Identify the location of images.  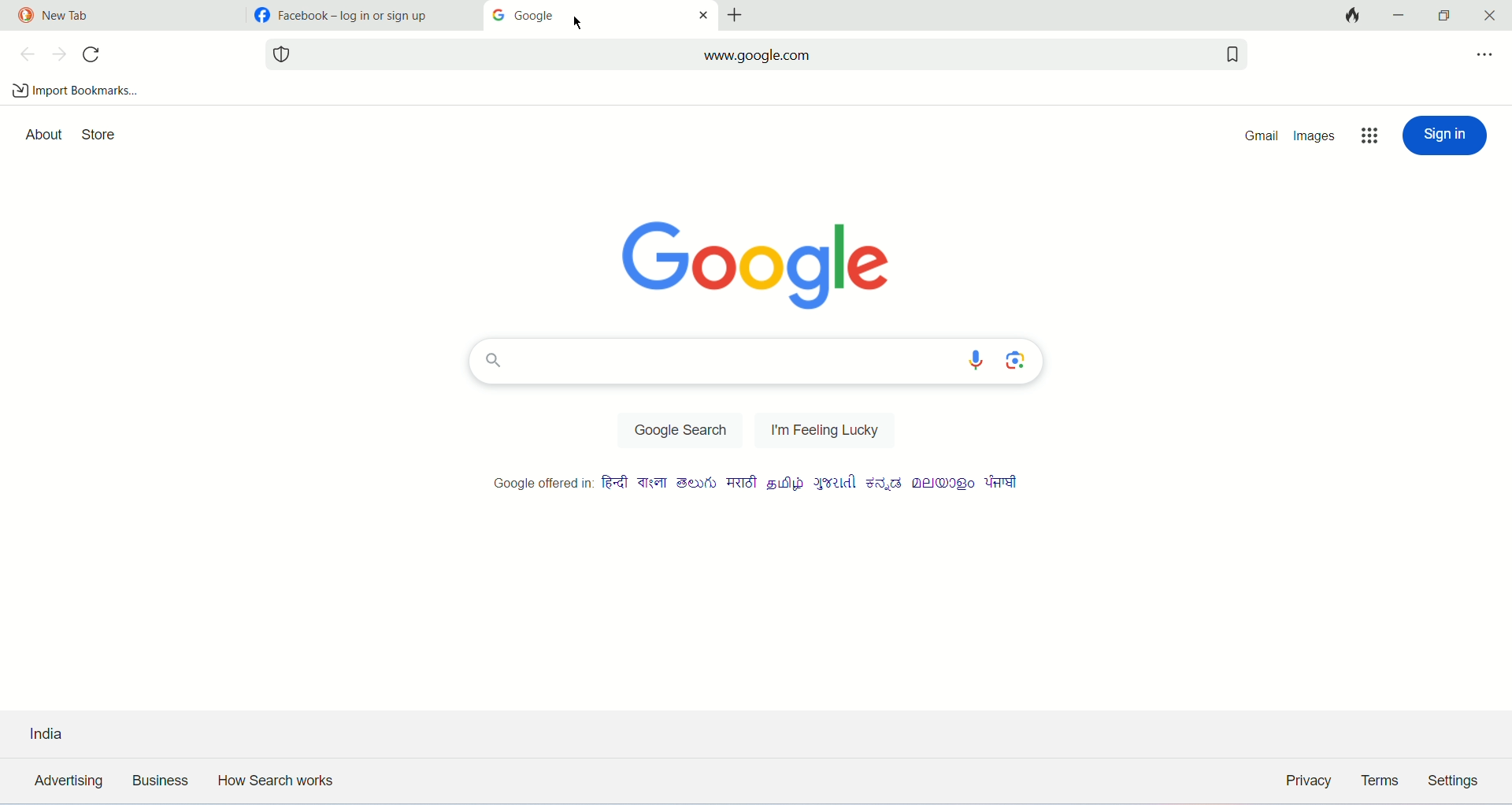
(1314, 135).